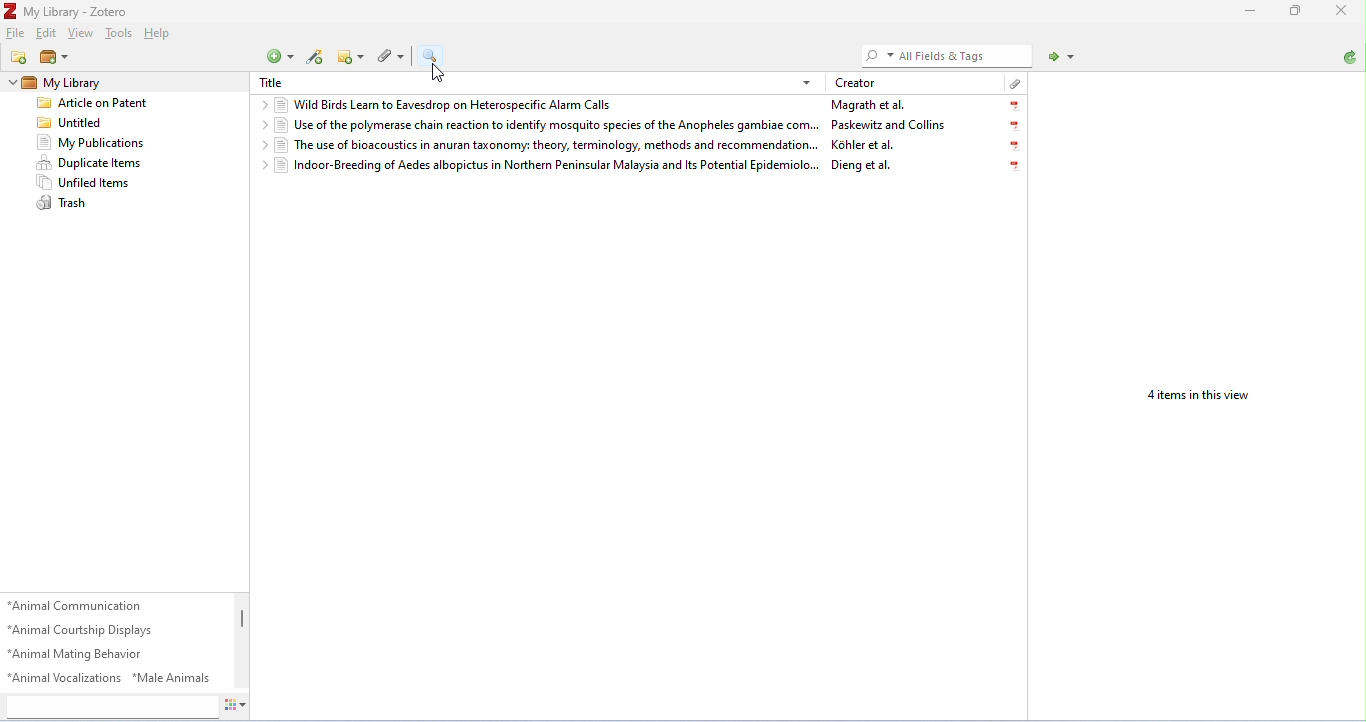 The width and height of the screenshot is (1366, 722). What do you see at coordinates (90, 162) in the screenshot?
I see `duplicate items` at bounding box center [90, 162].